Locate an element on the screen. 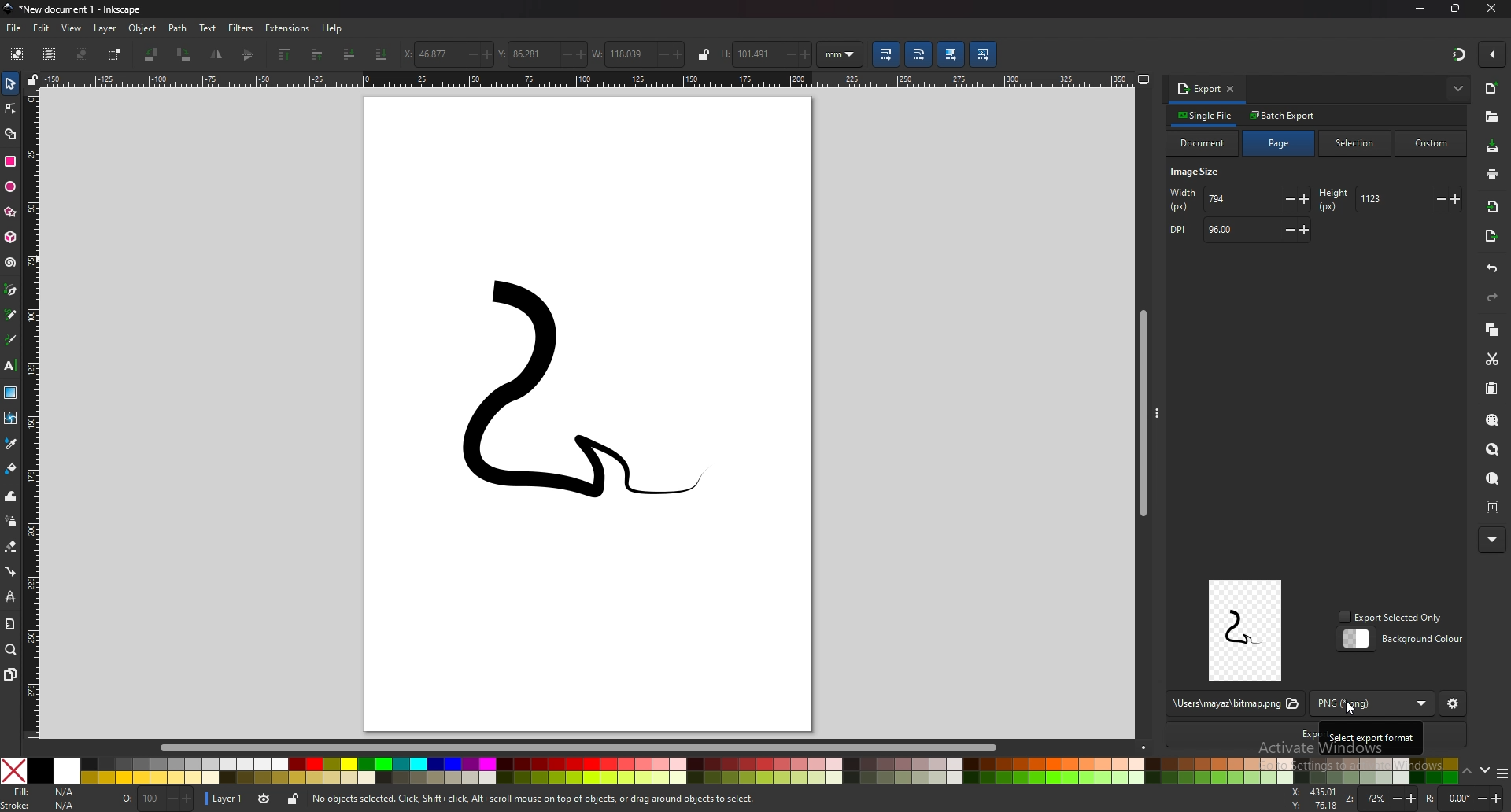 This screenshot has height=812, width=1511. node is located at coordinates (10, 109).